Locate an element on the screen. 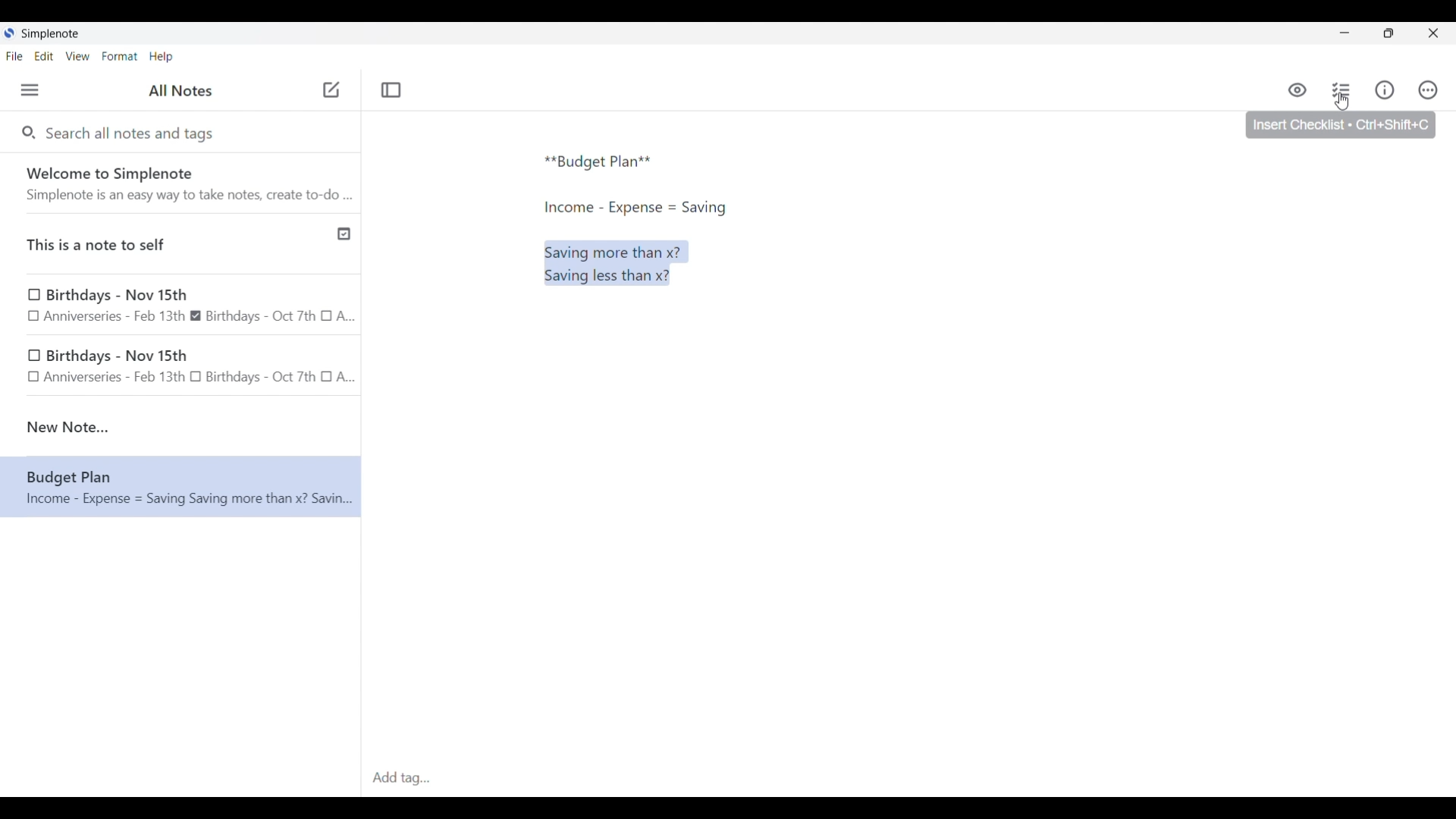 The width and height of the screenshot is (1456, 819). Show interface in a smaller tab is located at coordinates (1389, 33).